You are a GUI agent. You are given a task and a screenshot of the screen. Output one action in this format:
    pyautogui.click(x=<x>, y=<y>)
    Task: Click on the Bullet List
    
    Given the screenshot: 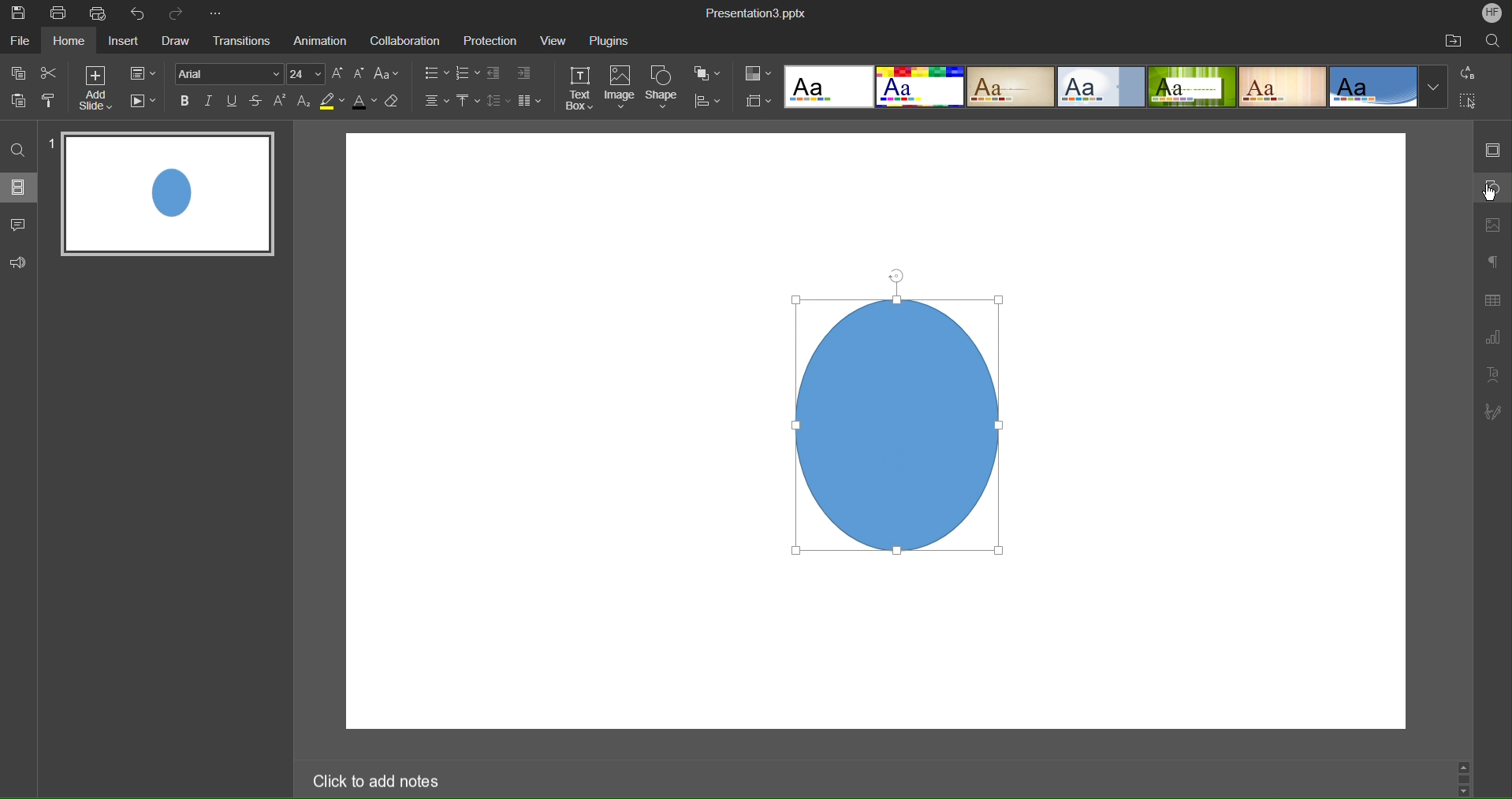 What is the action you would take?
    pyautogui.click(x=436, y=75)
    